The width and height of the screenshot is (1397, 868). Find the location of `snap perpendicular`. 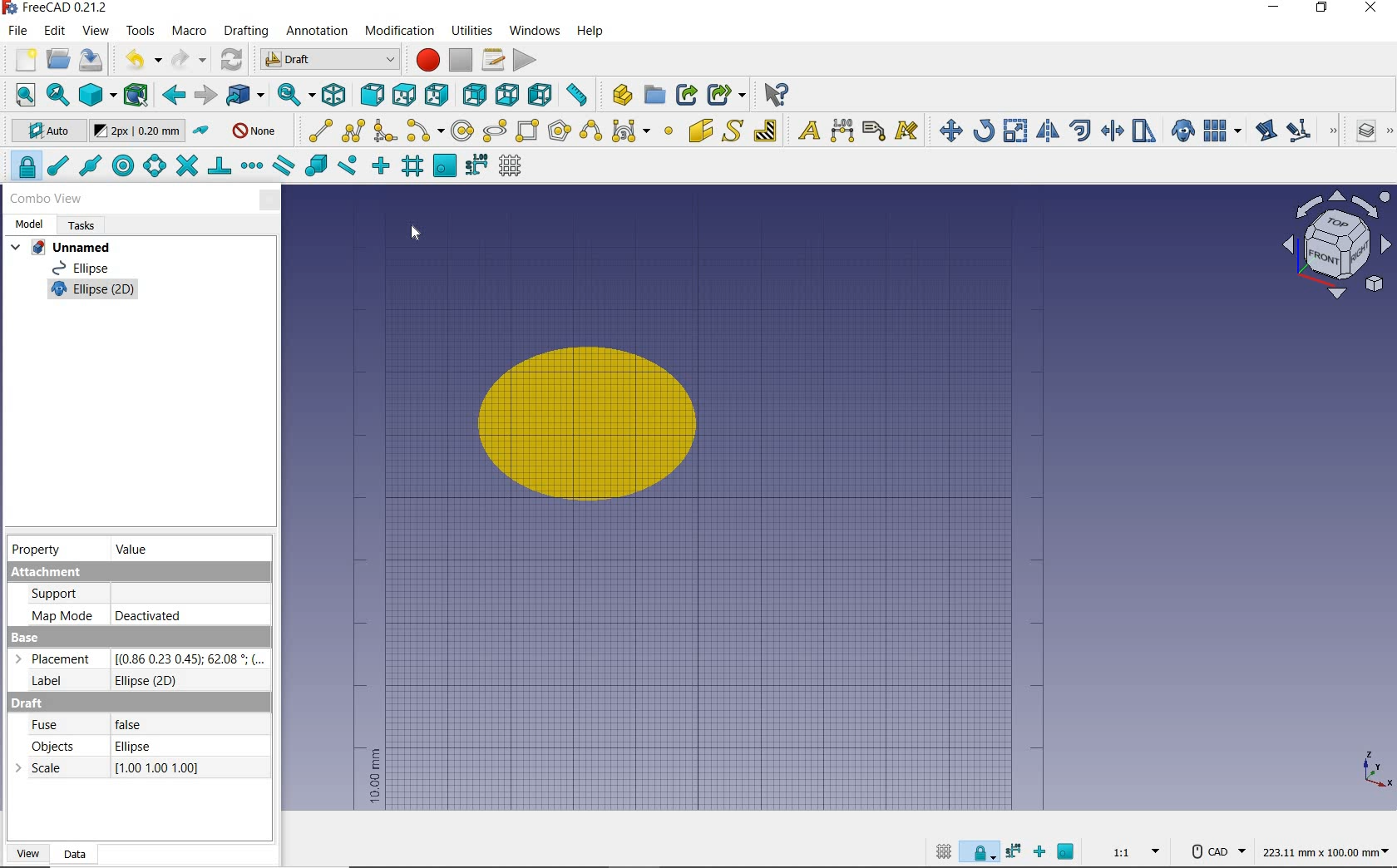

snap perpendicular is located at coordinates (220, 169).